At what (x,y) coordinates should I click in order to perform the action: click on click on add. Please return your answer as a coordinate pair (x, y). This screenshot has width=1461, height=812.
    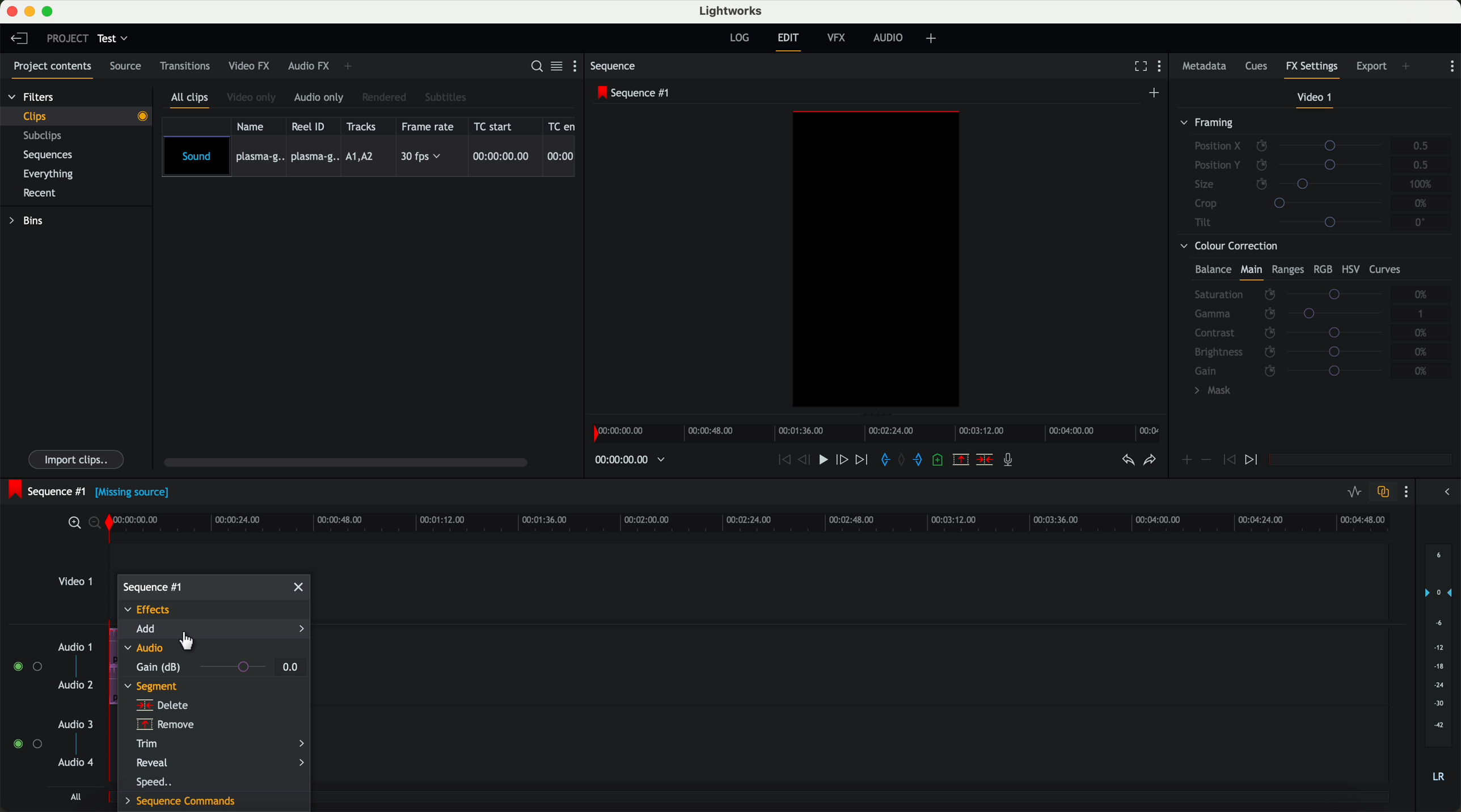
    Looking at the image, I should click on (214, 631).